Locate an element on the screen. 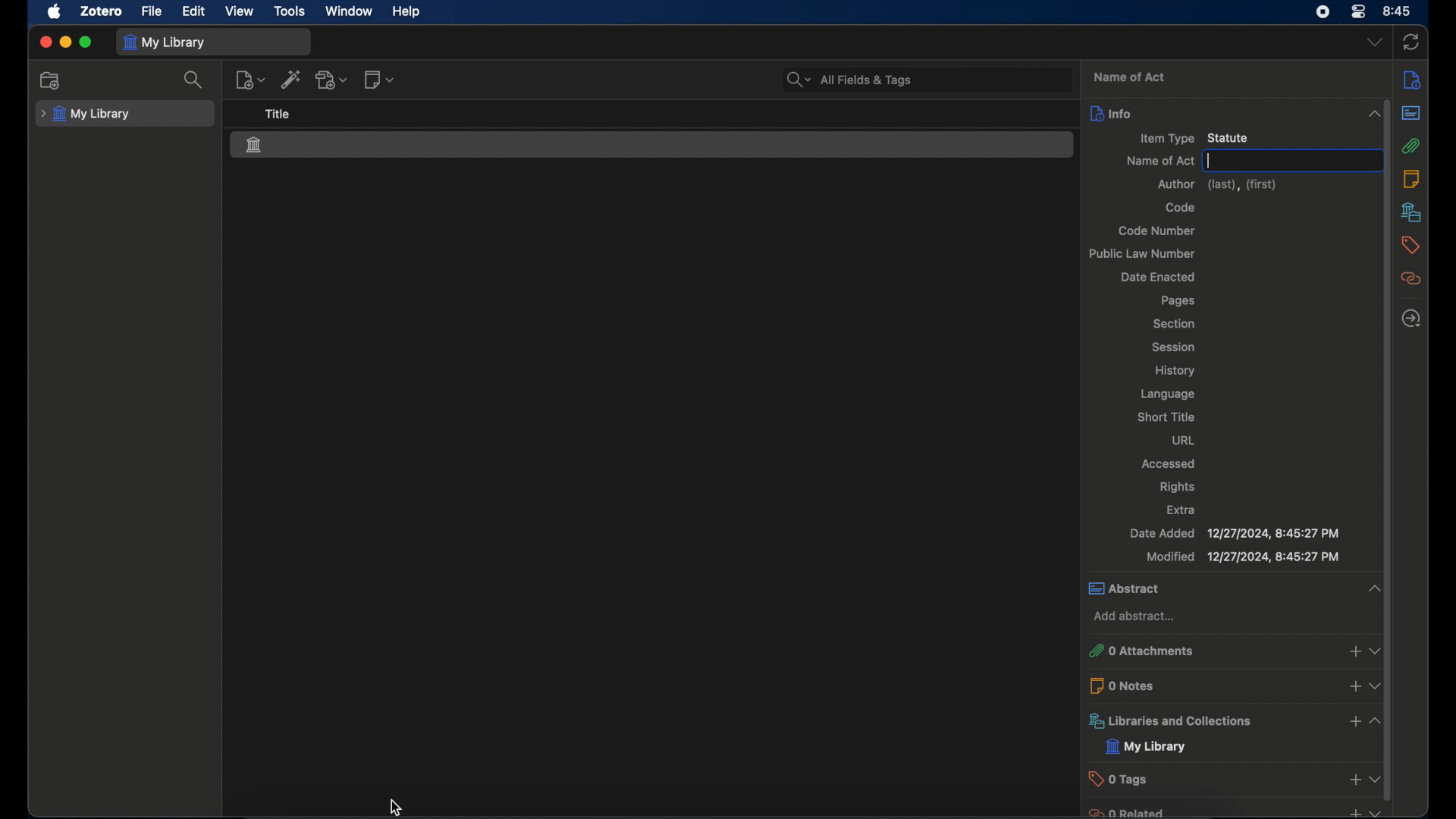 The image size is (1456, 819). 0 notes is located at coordinates (1211, 686).